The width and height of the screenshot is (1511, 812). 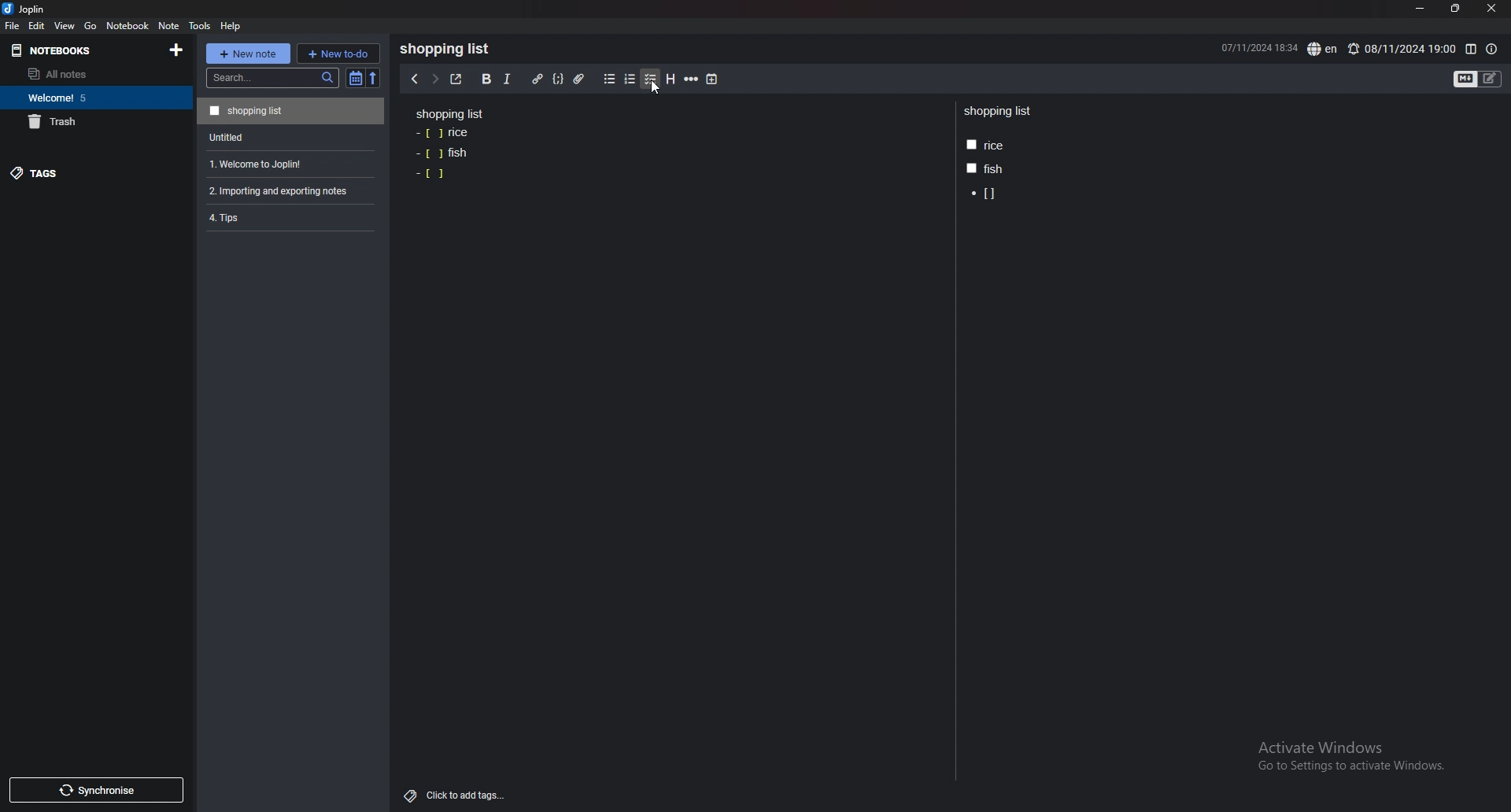 What do you see at coordinates (199, 26) in the screenshot?
I see `tools` at bounding box center [199, 26].